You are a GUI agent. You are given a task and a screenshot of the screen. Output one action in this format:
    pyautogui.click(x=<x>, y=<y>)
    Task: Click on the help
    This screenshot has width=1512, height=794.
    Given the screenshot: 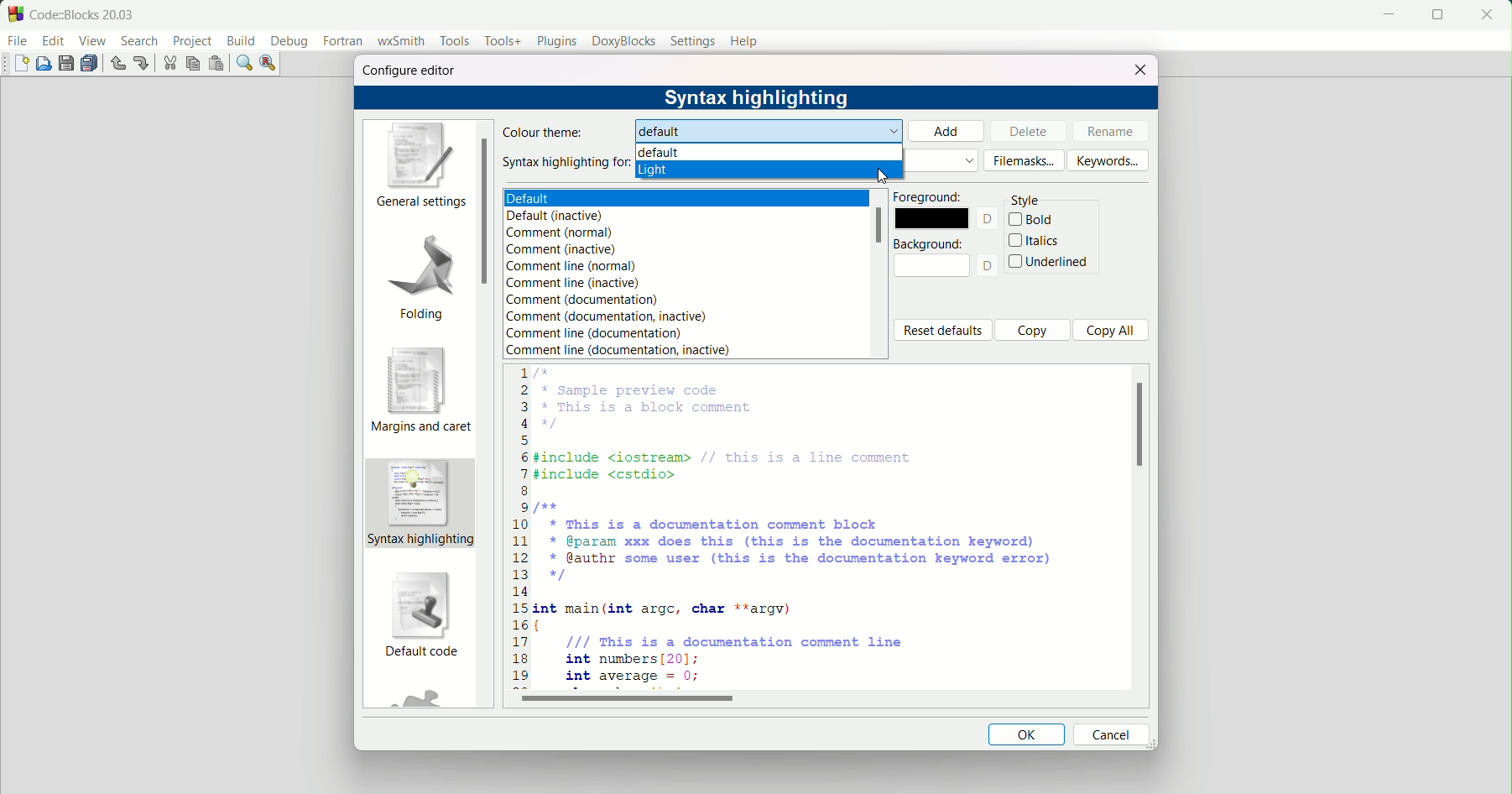 What is the action you would take?
    pyautogui.click(x=745, y=40)
    